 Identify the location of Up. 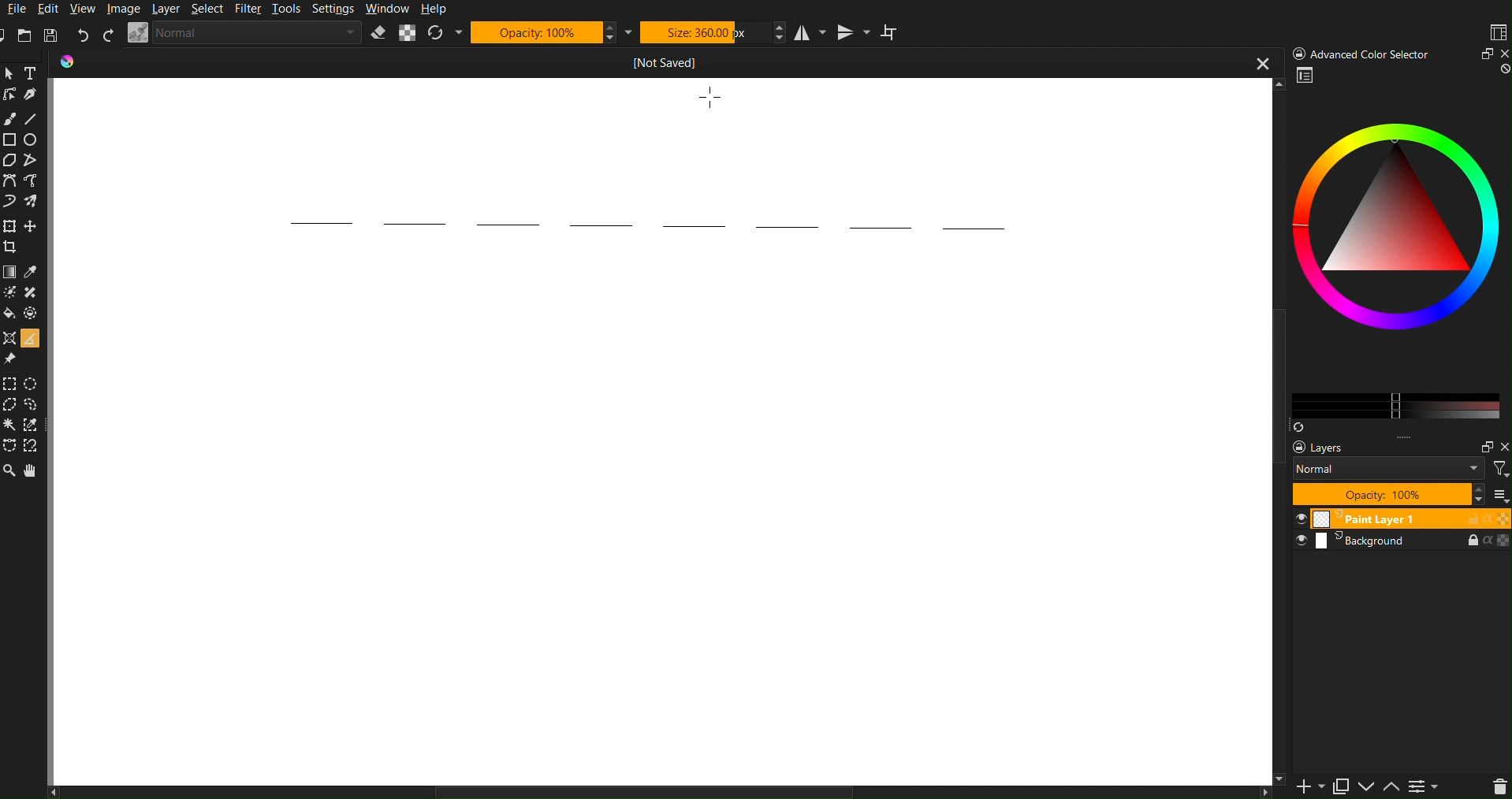
(1396, 786).